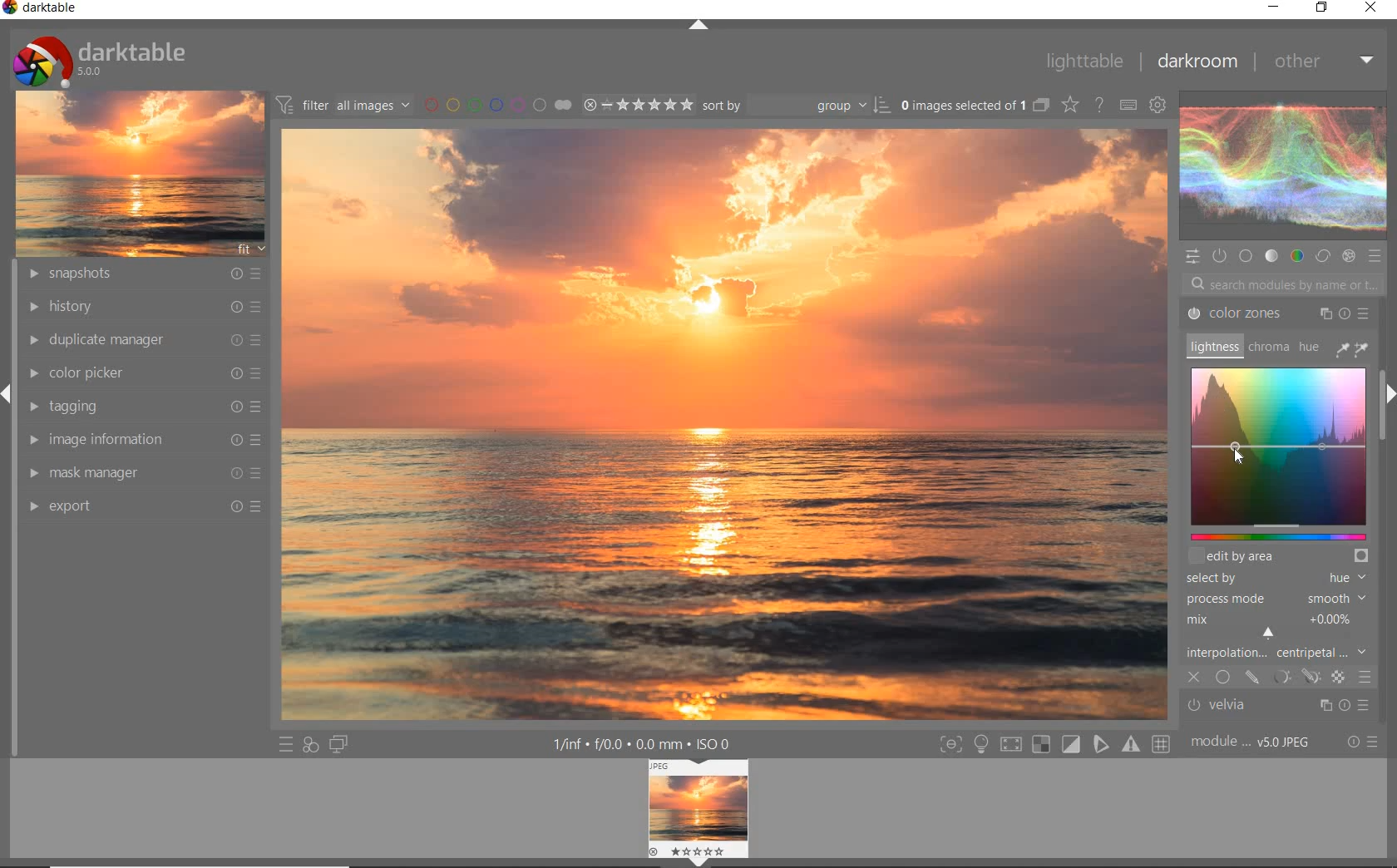 This screenshot has width=1397, height=868. I want to click on MODULE ORDER, so click(1252, 742).